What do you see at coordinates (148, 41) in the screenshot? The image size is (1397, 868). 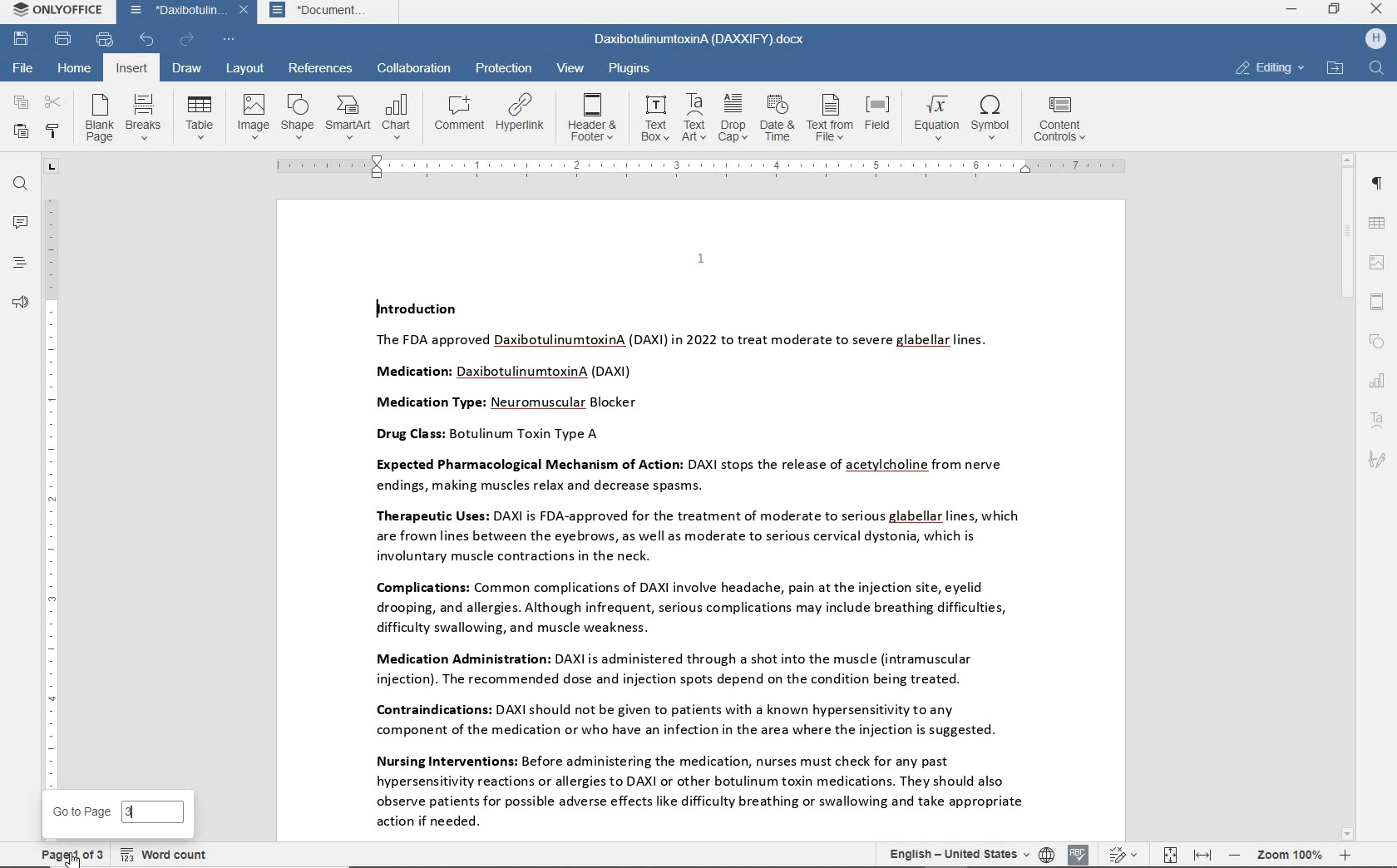 I see `undo` at bounding box center [148, 41].